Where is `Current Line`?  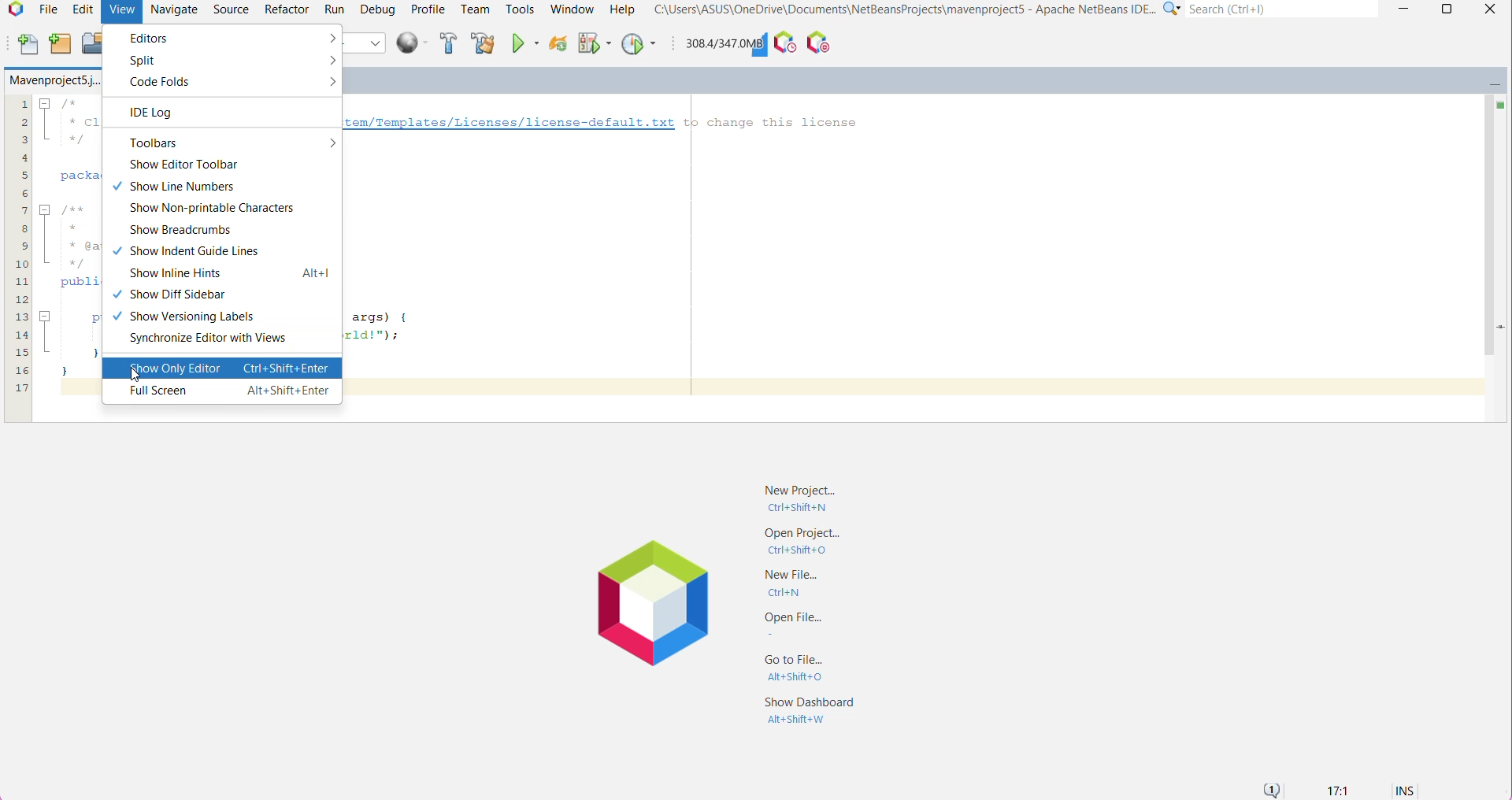 Current Line is located at coordinates (1503, 326).